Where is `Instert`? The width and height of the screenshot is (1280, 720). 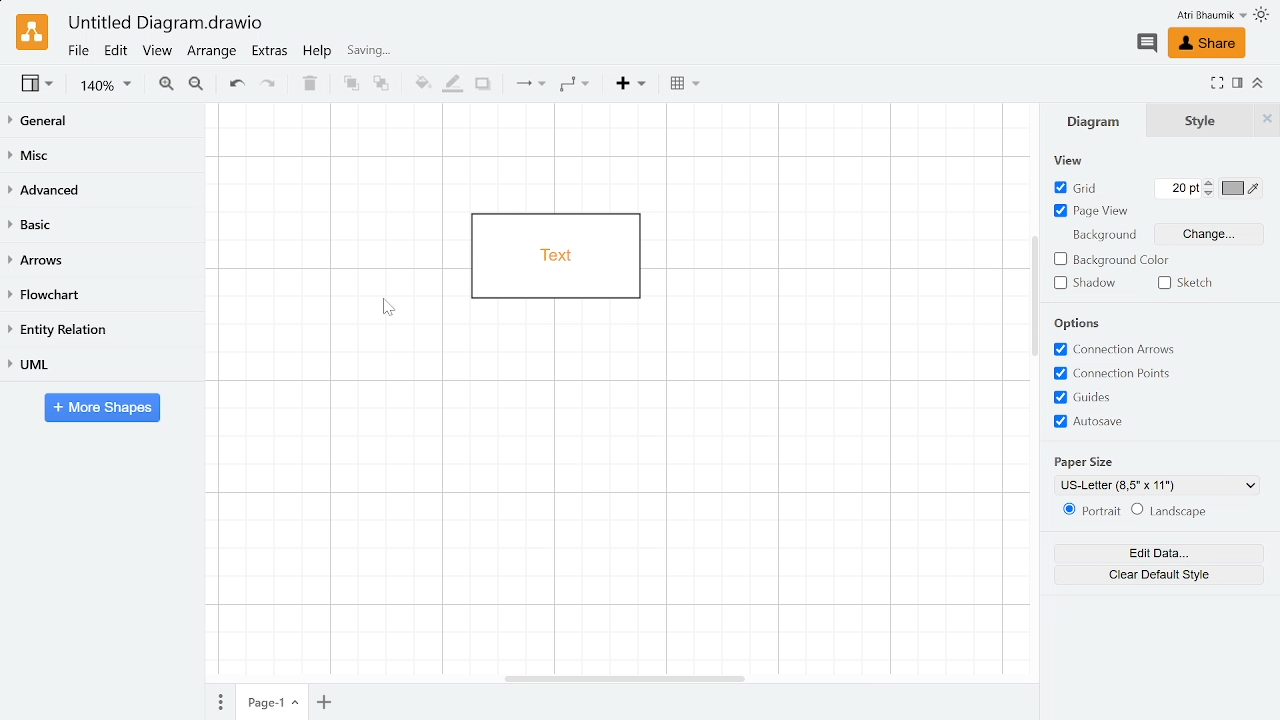
Instert is located at coordinates (630, 85).